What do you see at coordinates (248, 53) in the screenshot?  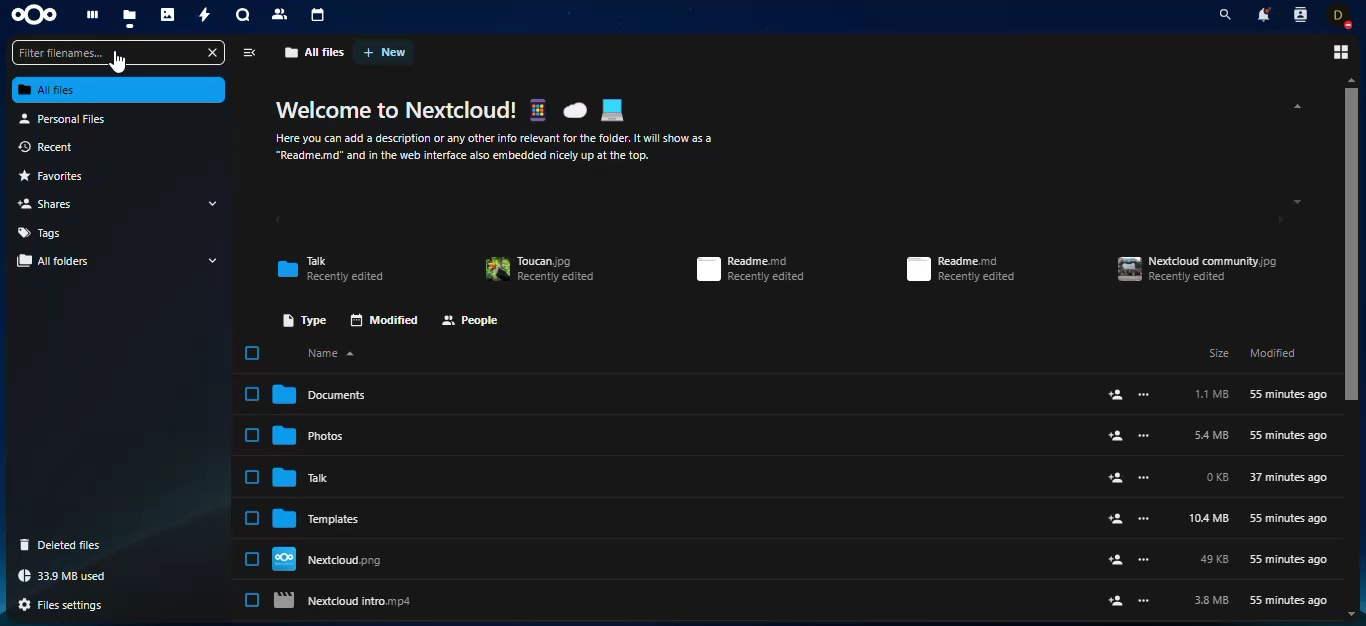 I see `view` at bounding box center [248, 53].